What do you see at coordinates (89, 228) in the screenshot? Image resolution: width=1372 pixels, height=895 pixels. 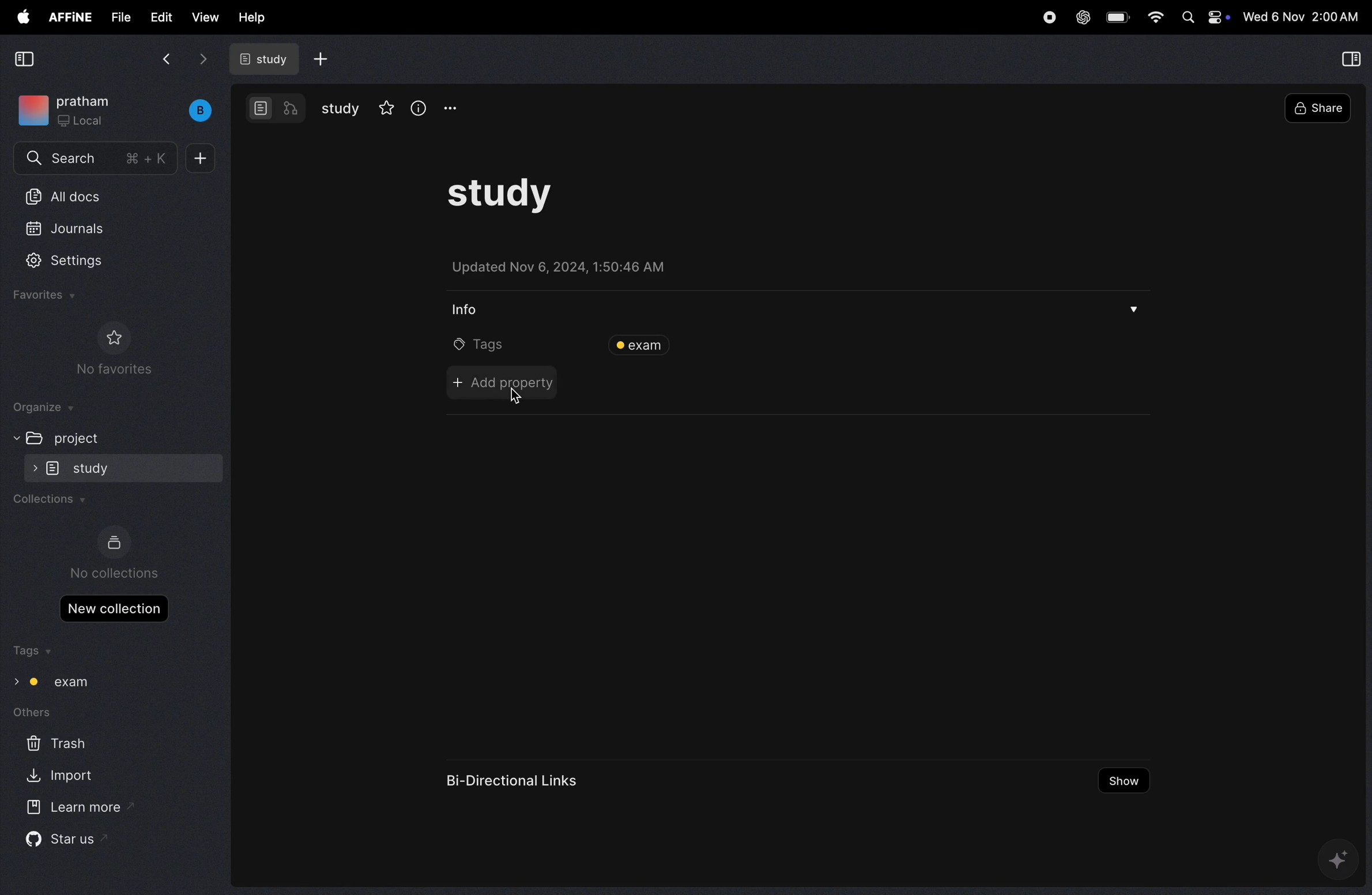 I see `journals` at bounding box center [89, 228].